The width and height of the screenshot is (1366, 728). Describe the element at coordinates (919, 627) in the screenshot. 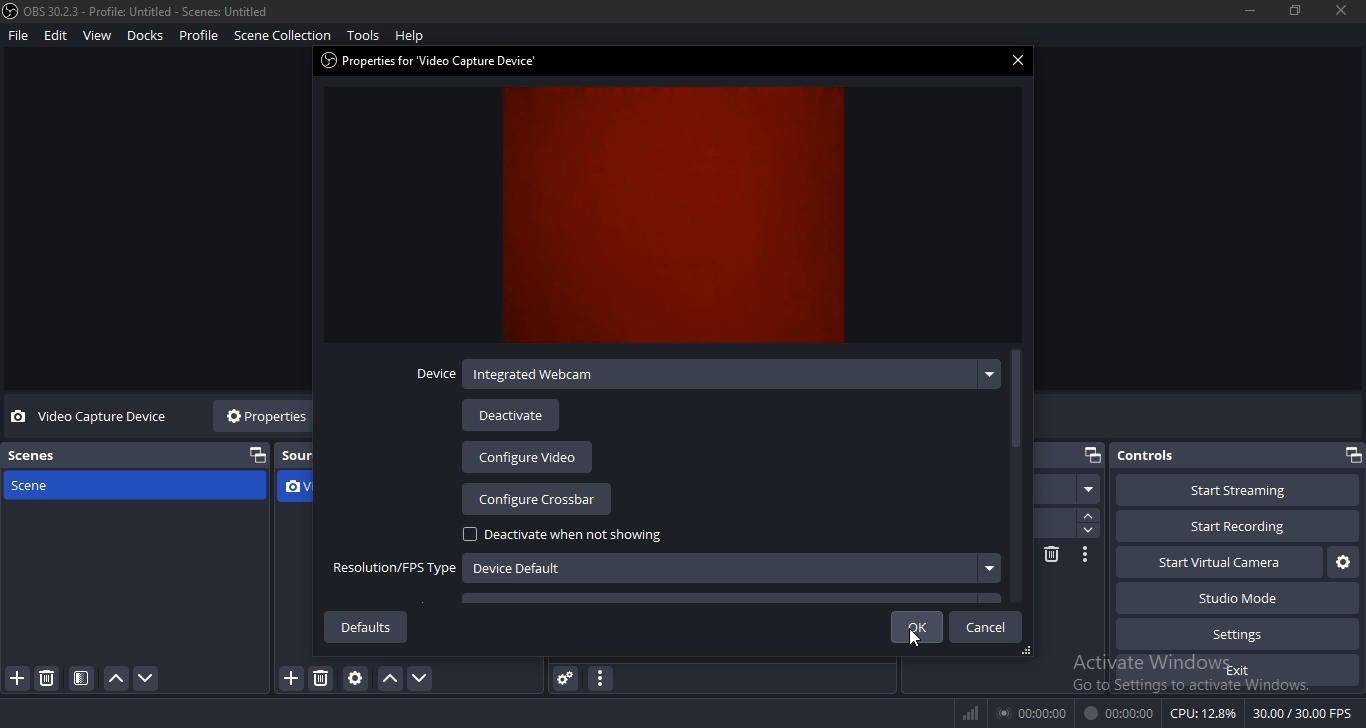

I see `ok` at that location.